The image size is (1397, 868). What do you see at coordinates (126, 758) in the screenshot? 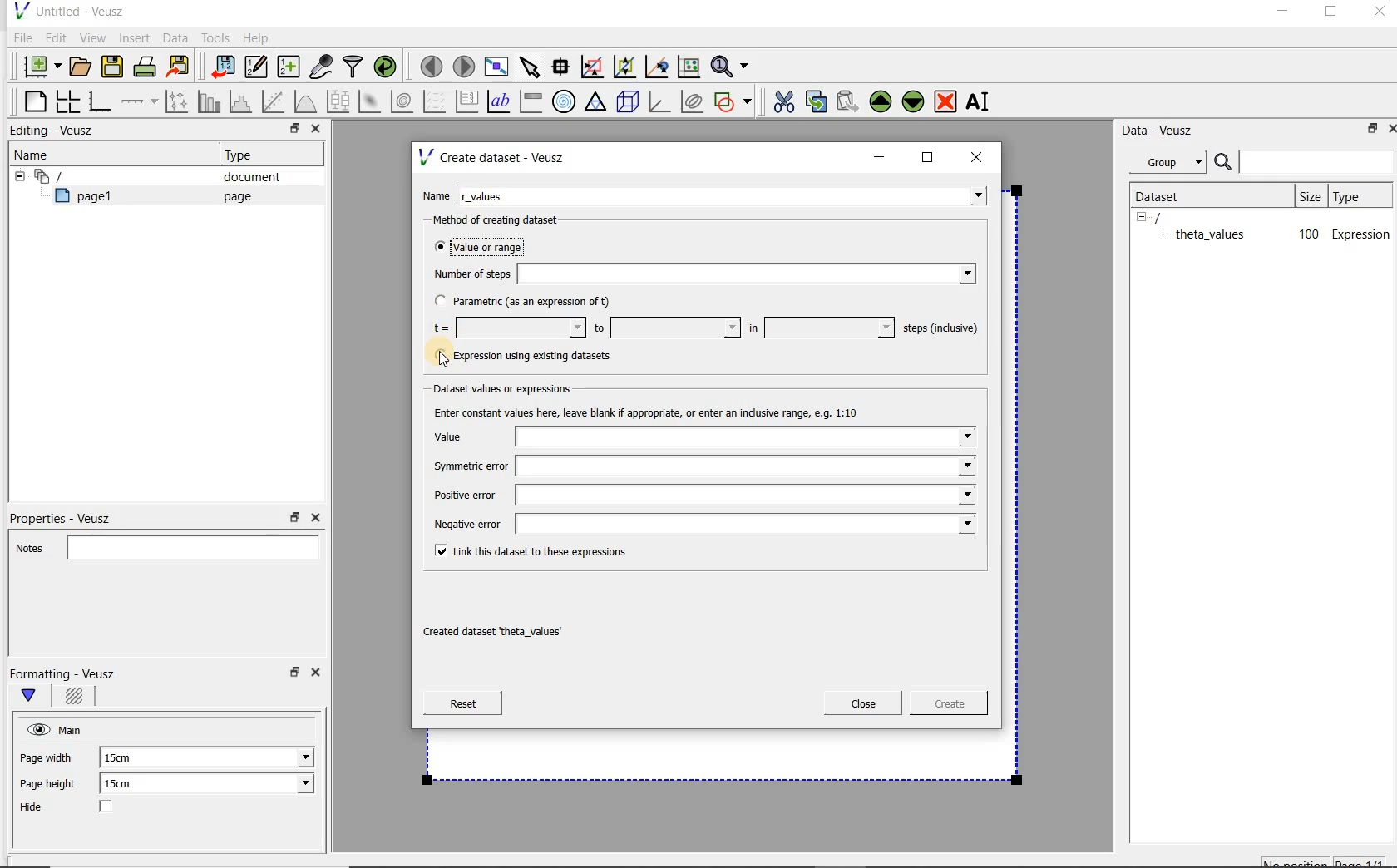
I see `15cm` at bounding box center [126, 758].